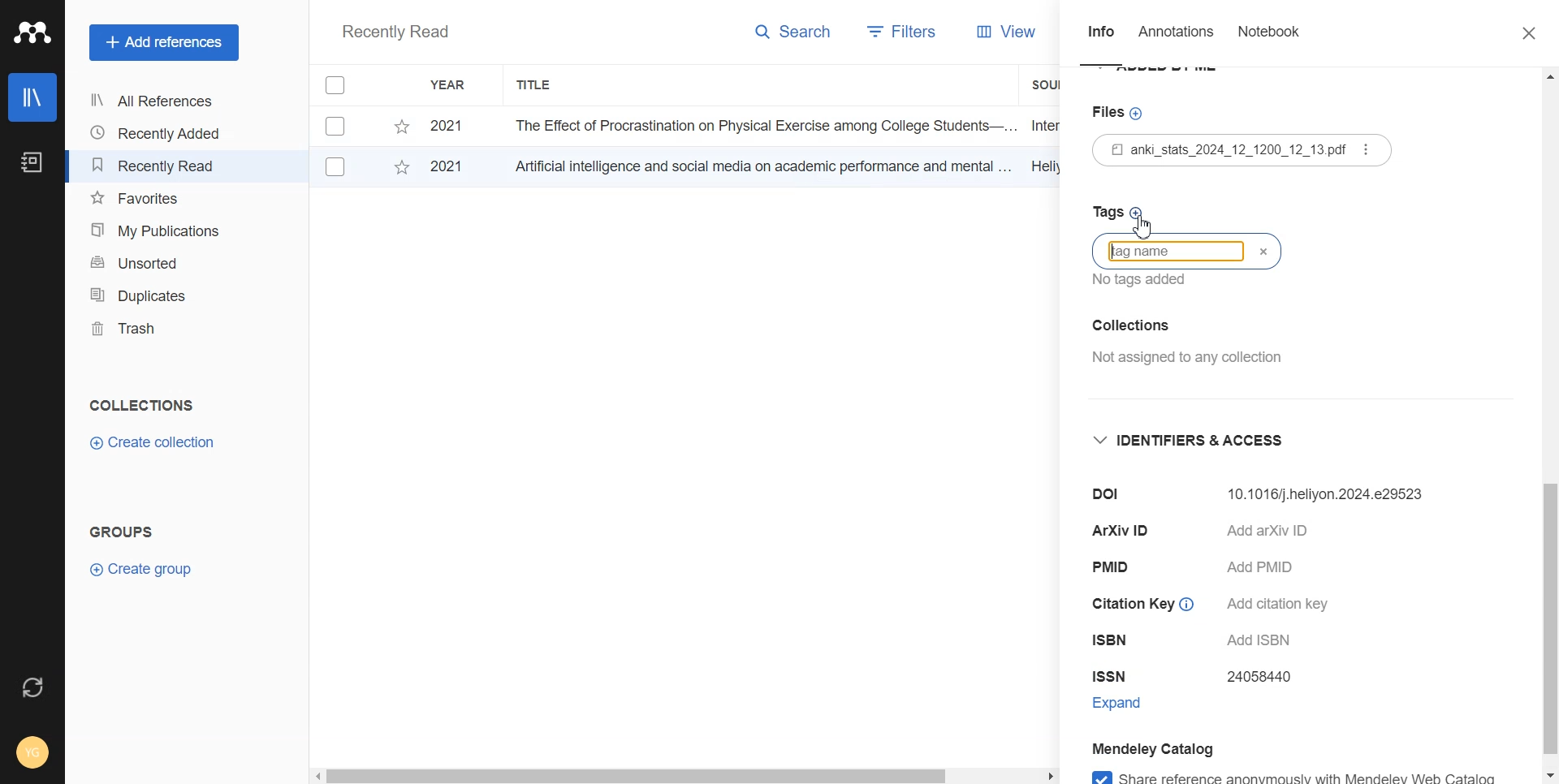  Describe the element at coordinates (158, 166) in the screenshot. I see `Recently Read` at that location.